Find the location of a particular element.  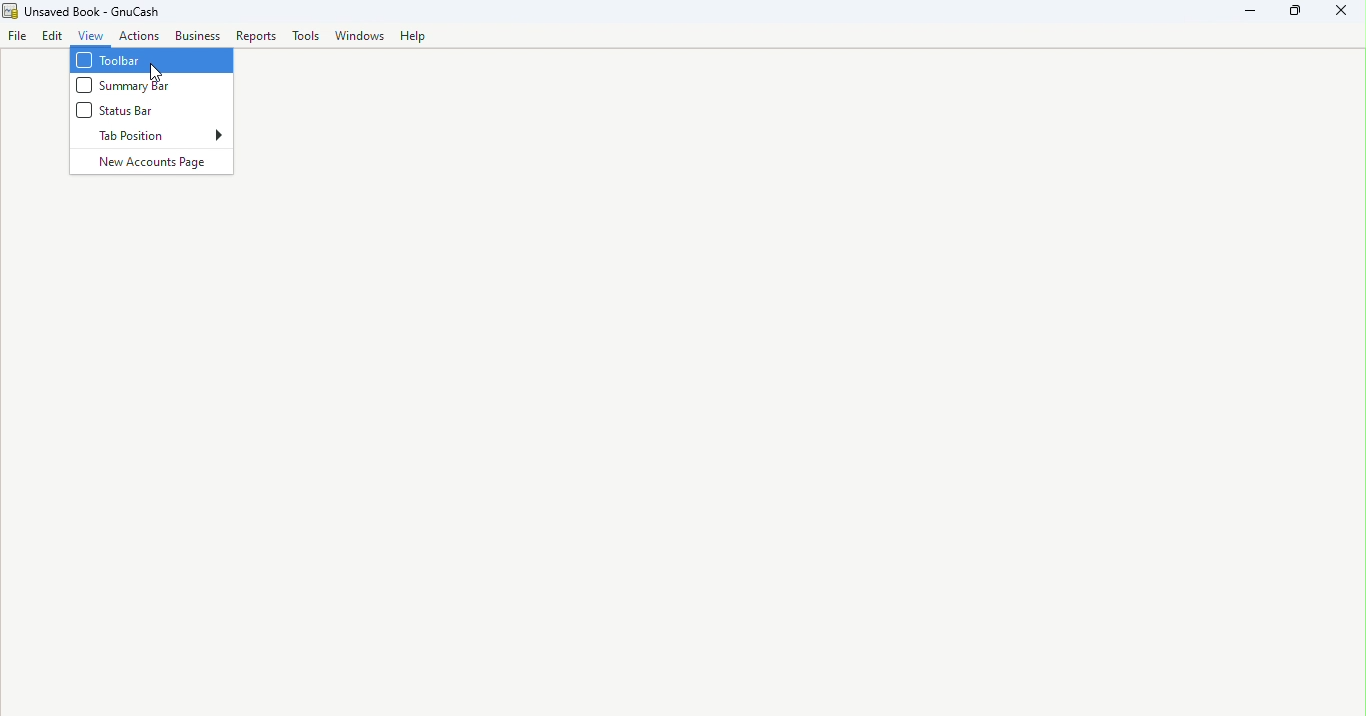

New accounts page is located at coordinates (153, 165).